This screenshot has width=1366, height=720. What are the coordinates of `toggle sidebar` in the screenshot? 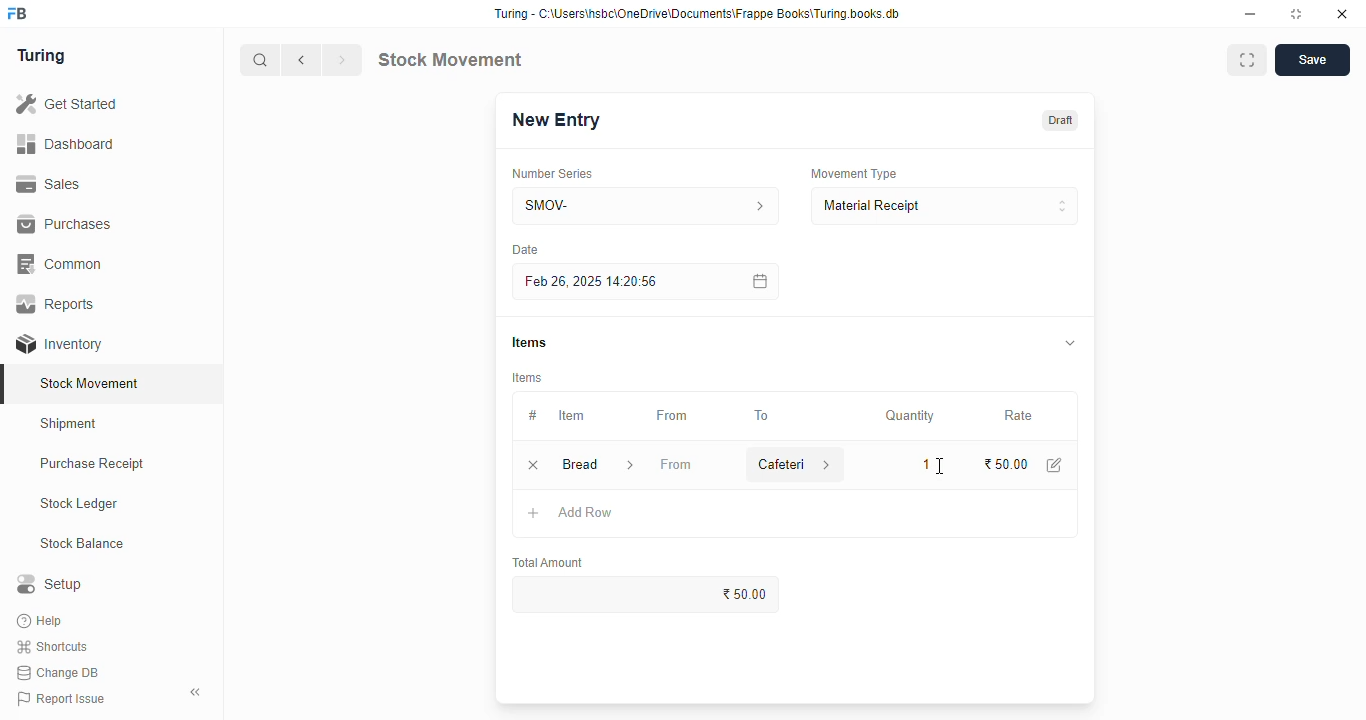 It's located at (196, 692).